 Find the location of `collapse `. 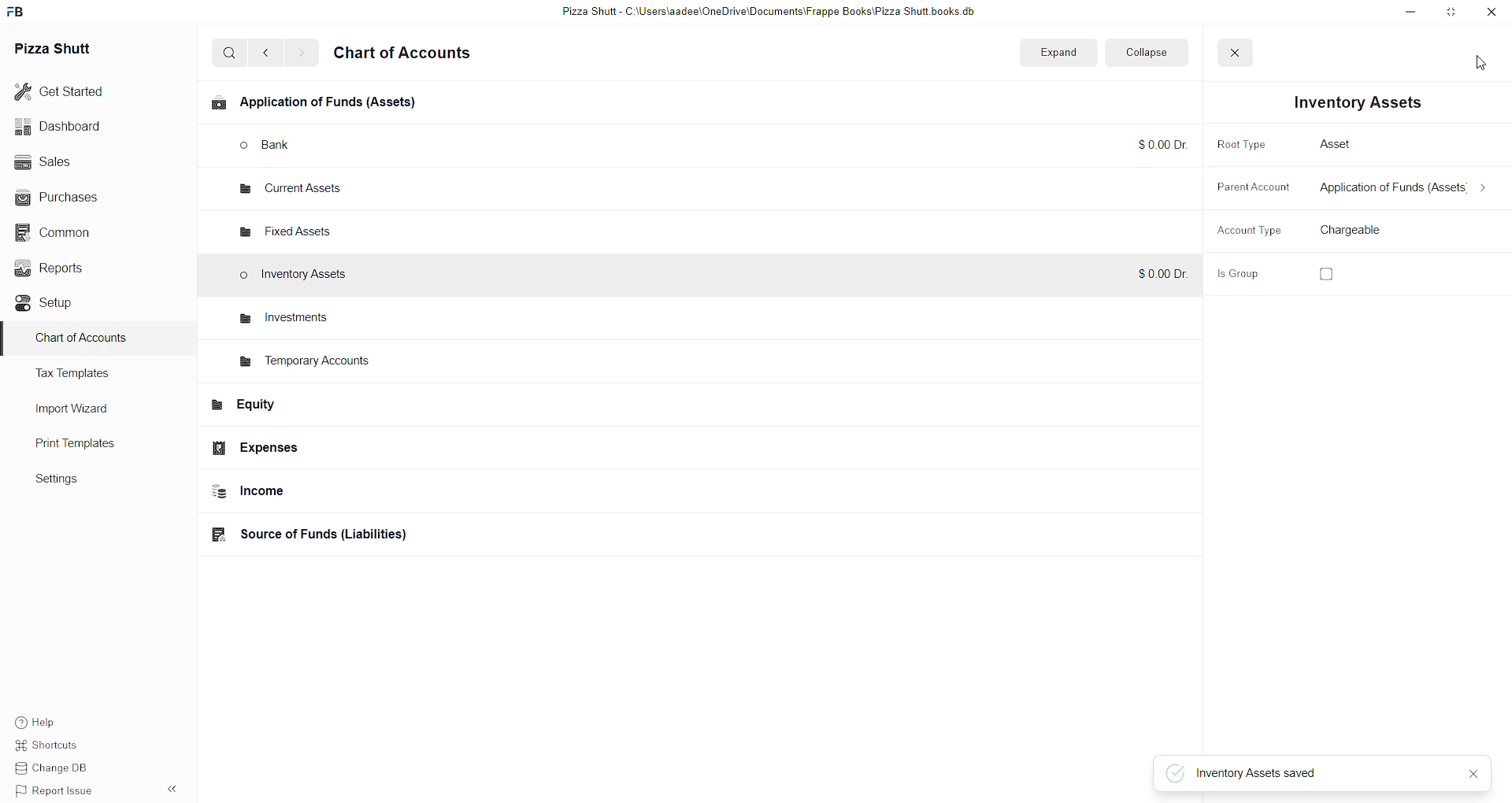

collapse  is located at coordinates (1143, 52).